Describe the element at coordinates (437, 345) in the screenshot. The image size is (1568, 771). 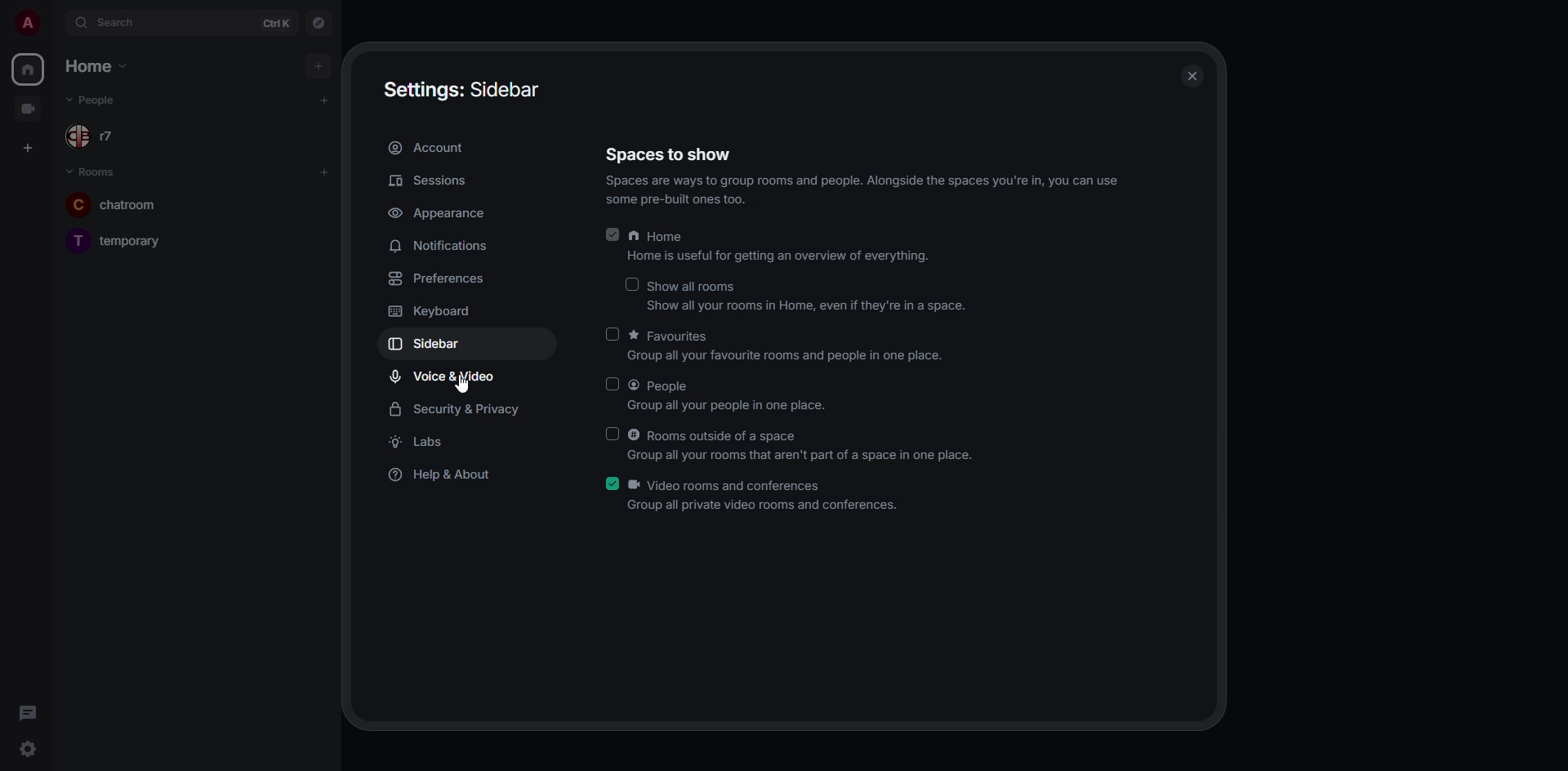
I see `sidebar` at that location.